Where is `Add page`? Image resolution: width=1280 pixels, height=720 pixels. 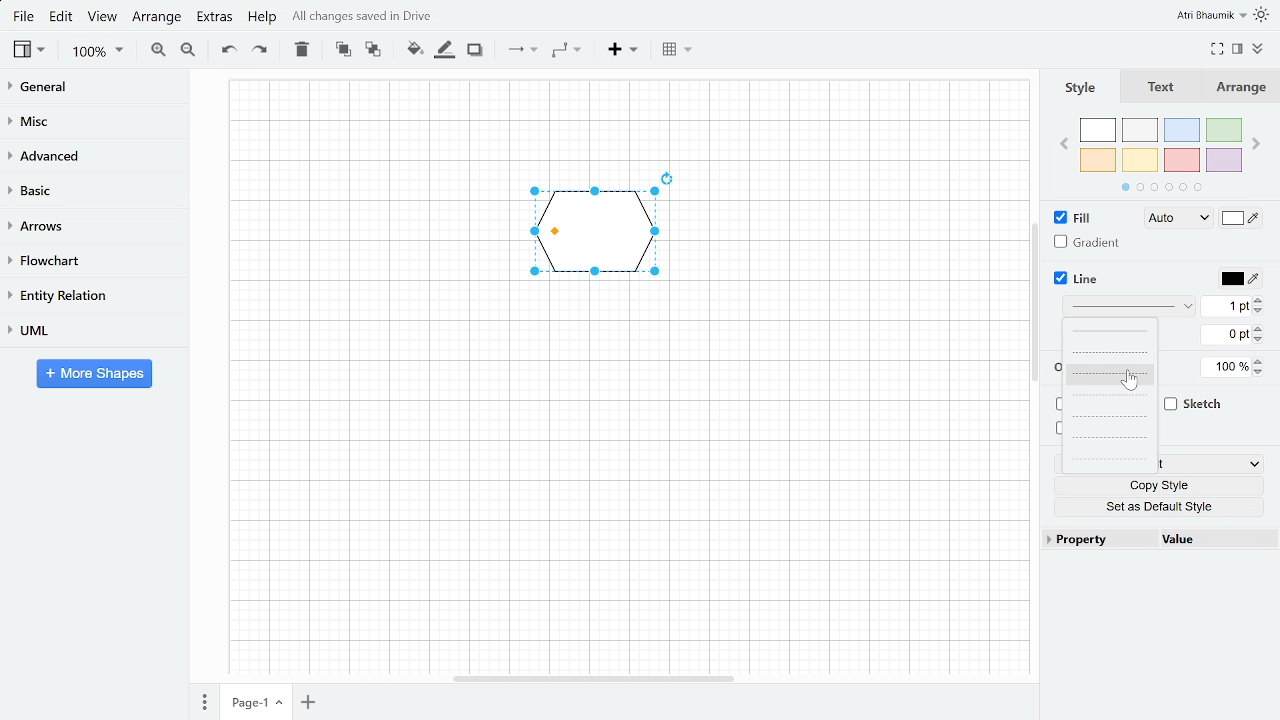 Add page is located at coordinates (307, 702).